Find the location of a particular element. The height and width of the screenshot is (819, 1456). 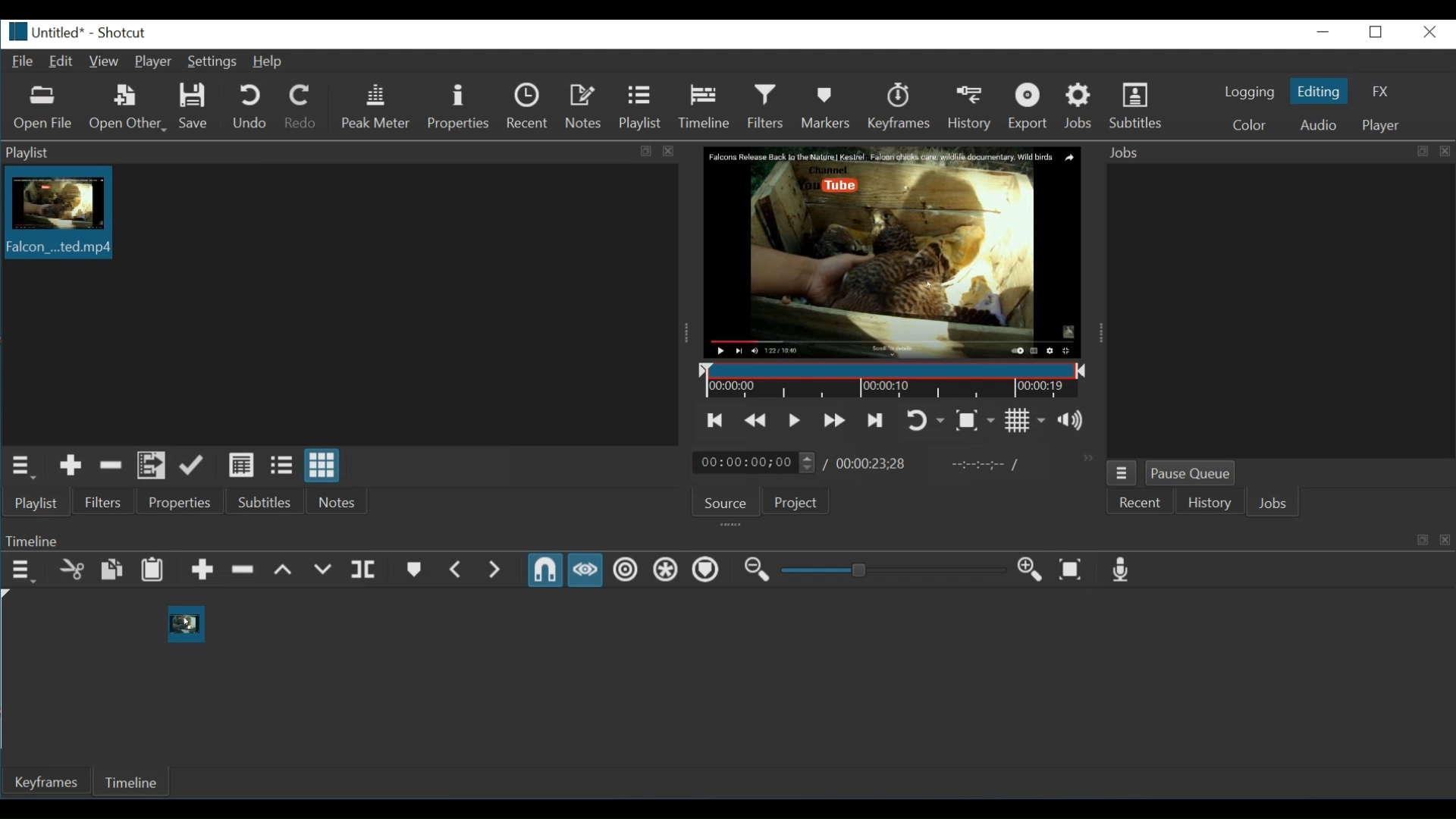

Settings is located at coordinates (212, 61).